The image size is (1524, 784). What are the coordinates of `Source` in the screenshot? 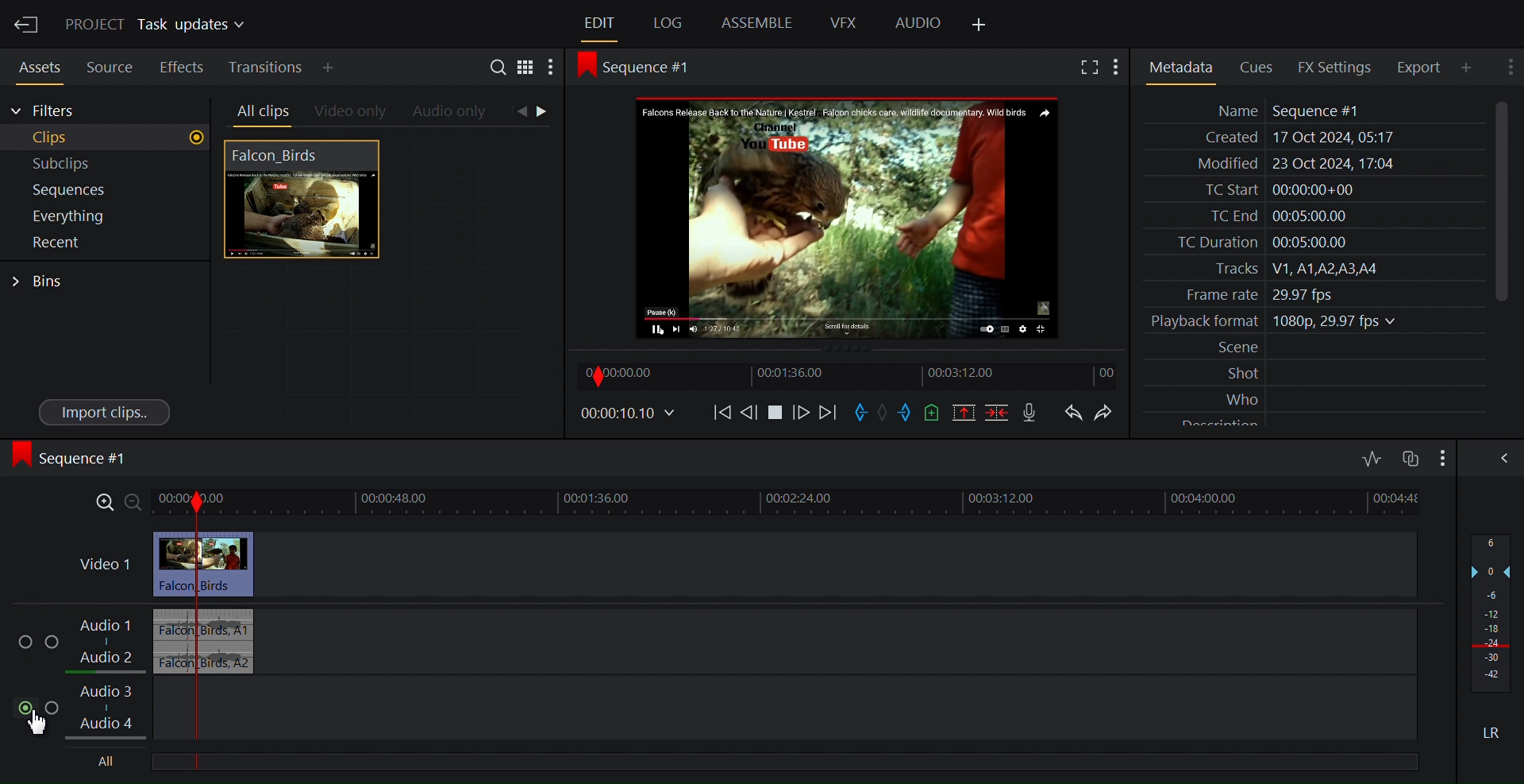 It's located at (110, 65).